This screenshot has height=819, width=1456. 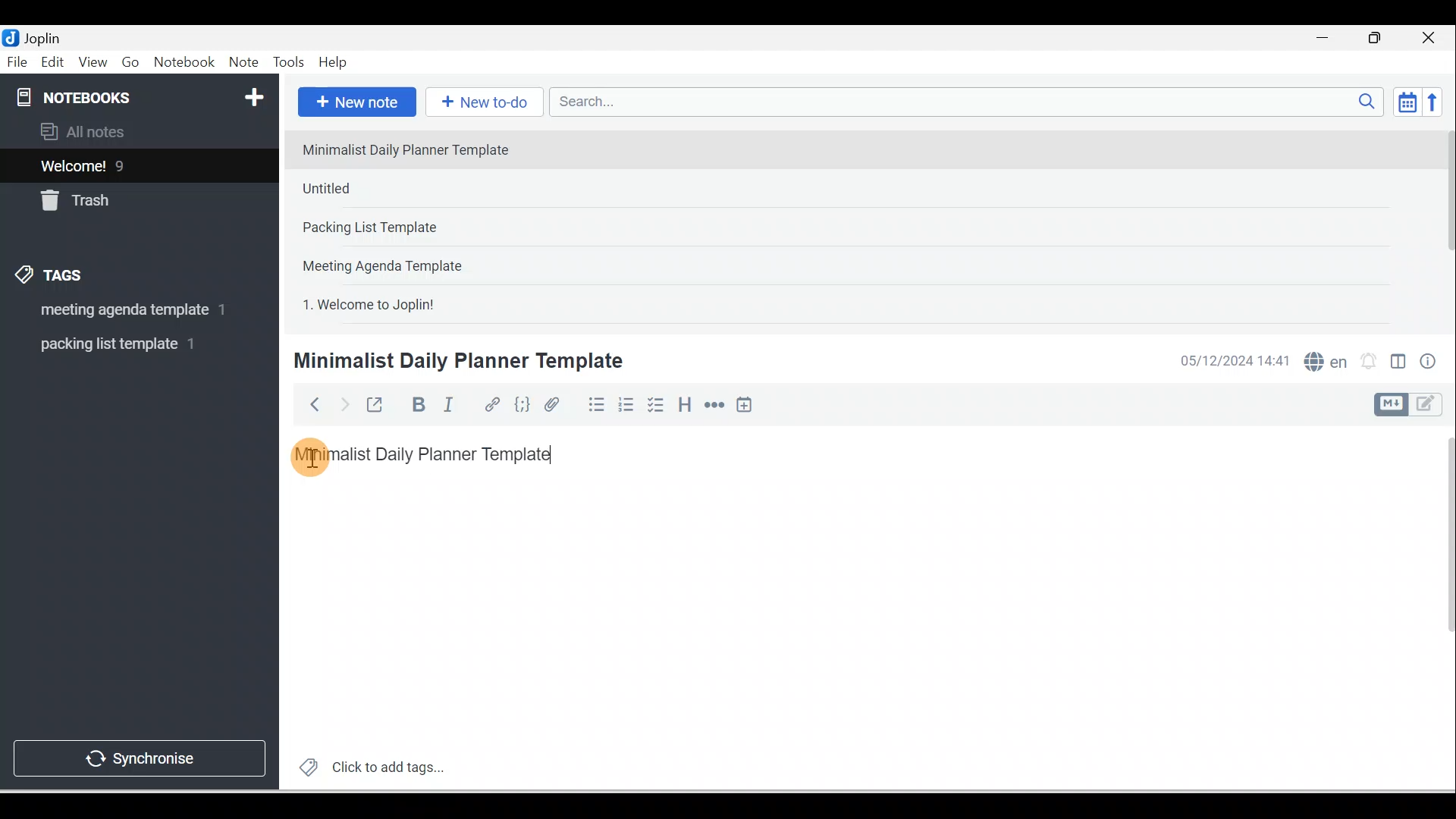 What do you see at coordinates (1437, 102) in the screenshot?
I see `Reverse sort` at bounding box center [1437, 102].